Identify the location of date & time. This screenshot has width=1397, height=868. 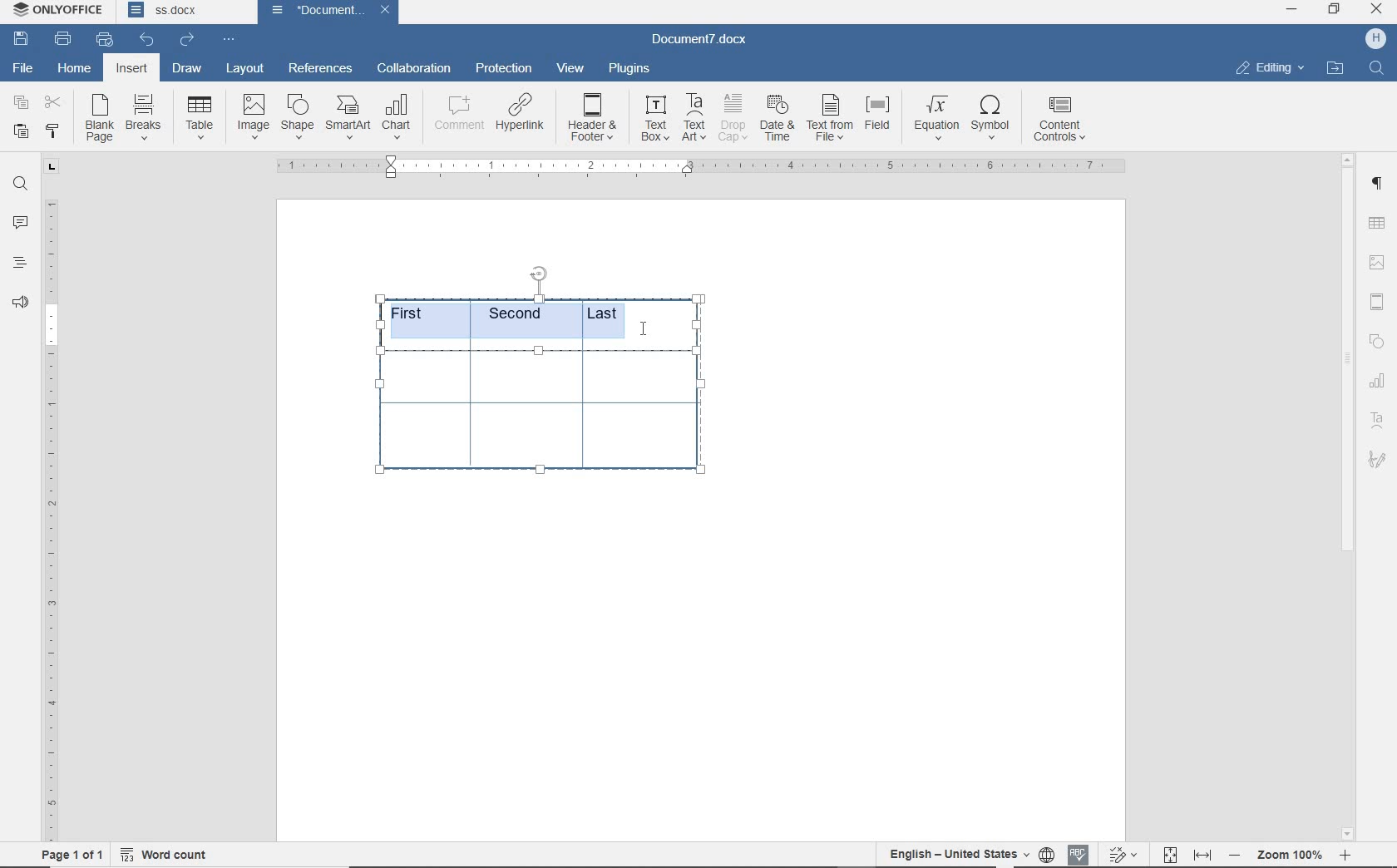
(777, 120).